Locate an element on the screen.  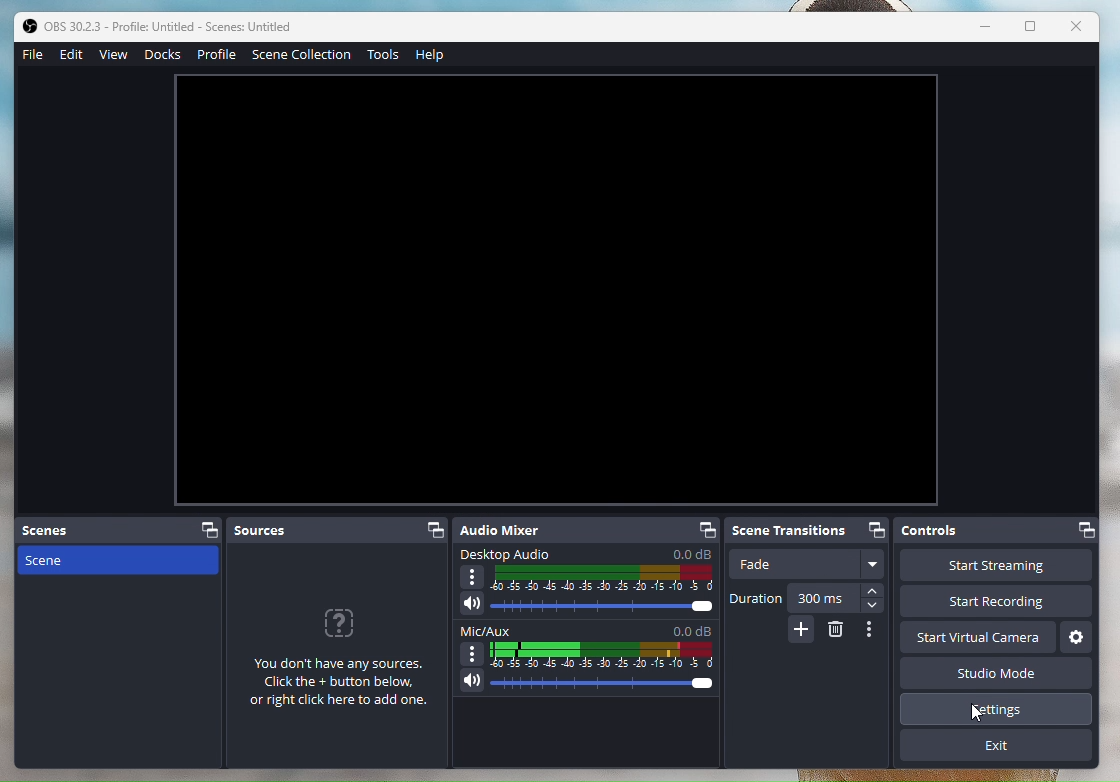
Scene Transitions is located at coordinates (808, 530).